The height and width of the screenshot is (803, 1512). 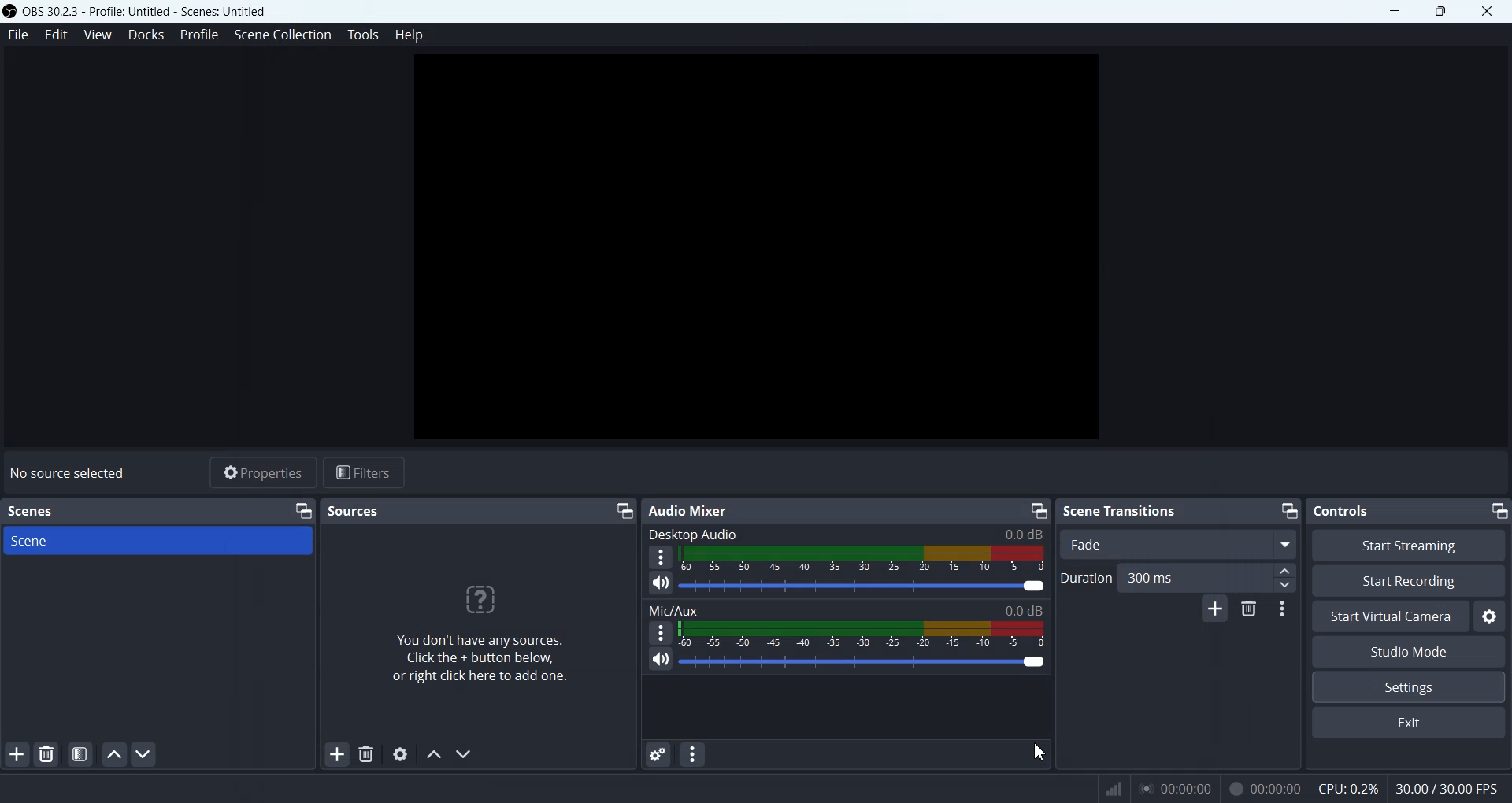 I want to click on Start Virtual Camera, so click(x=1390, y=616).